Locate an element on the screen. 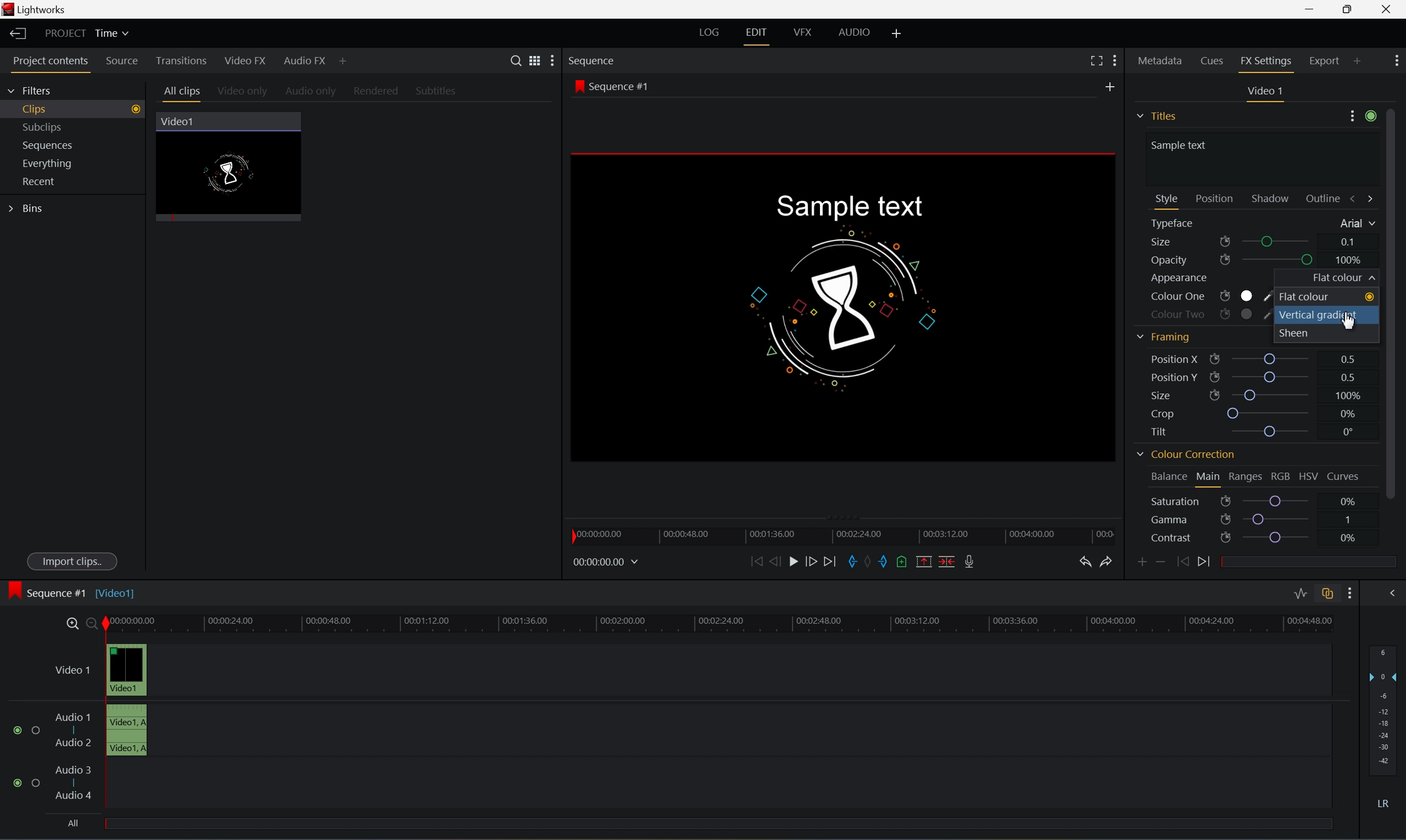 The height and width of the screenshot is (840, 1406). minimize is located at coordinates (1309, 8).